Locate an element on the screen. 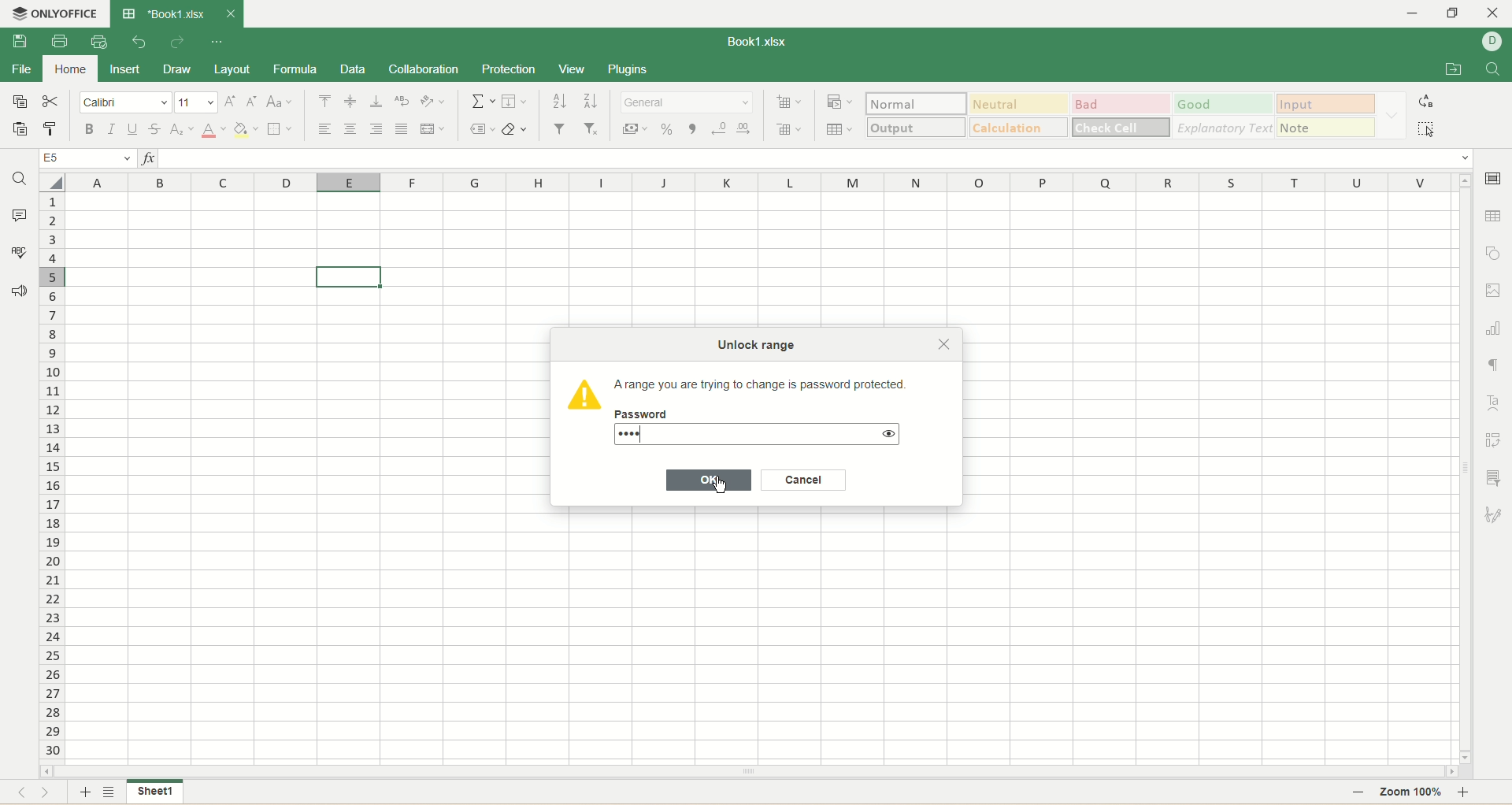  Unlock range is located at coordinates (755, 346).